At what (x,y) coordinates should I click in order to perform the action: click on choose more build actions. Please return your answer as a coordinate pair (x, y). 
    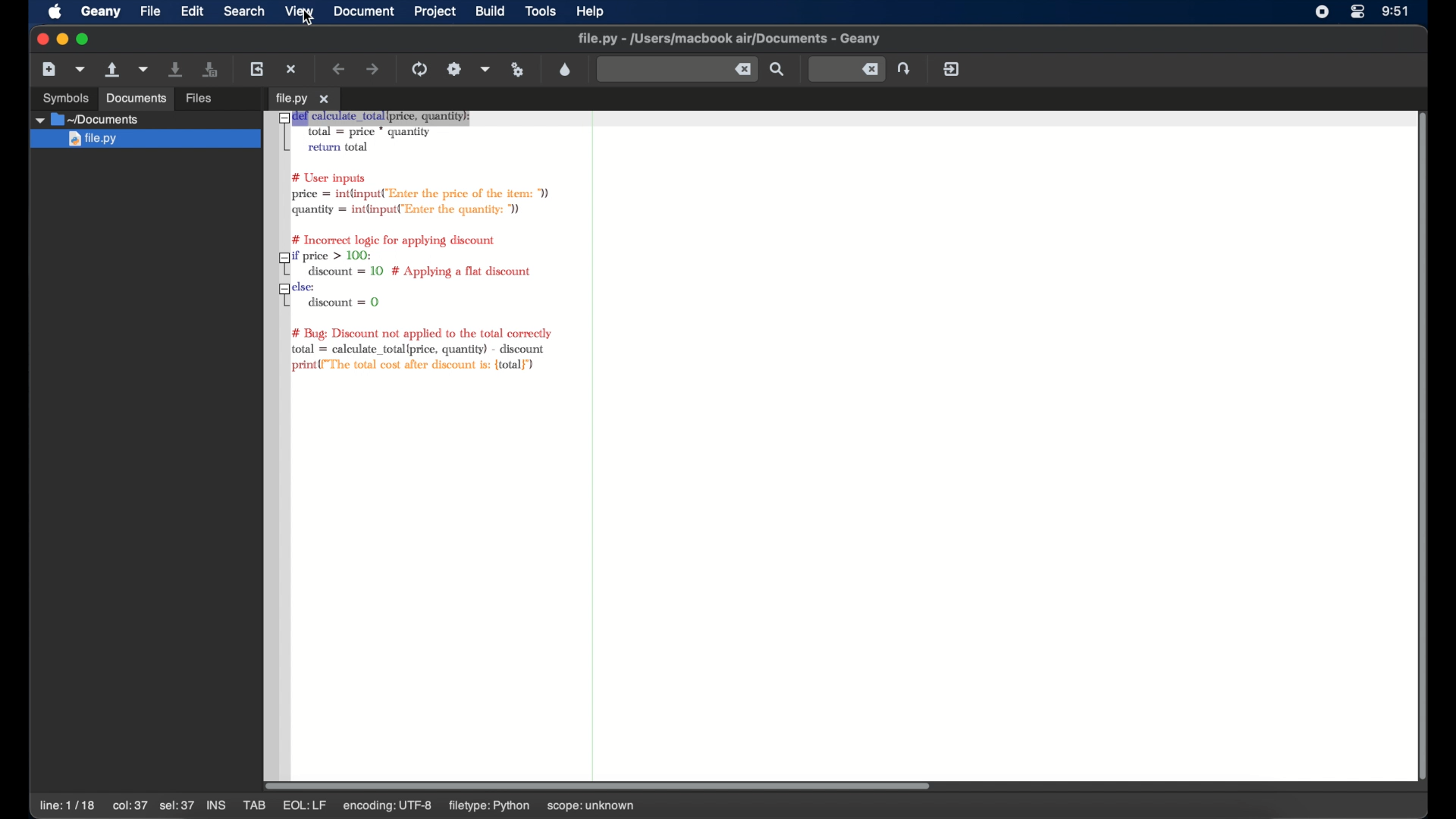
    Looking at the image, I should click on (486, 70).